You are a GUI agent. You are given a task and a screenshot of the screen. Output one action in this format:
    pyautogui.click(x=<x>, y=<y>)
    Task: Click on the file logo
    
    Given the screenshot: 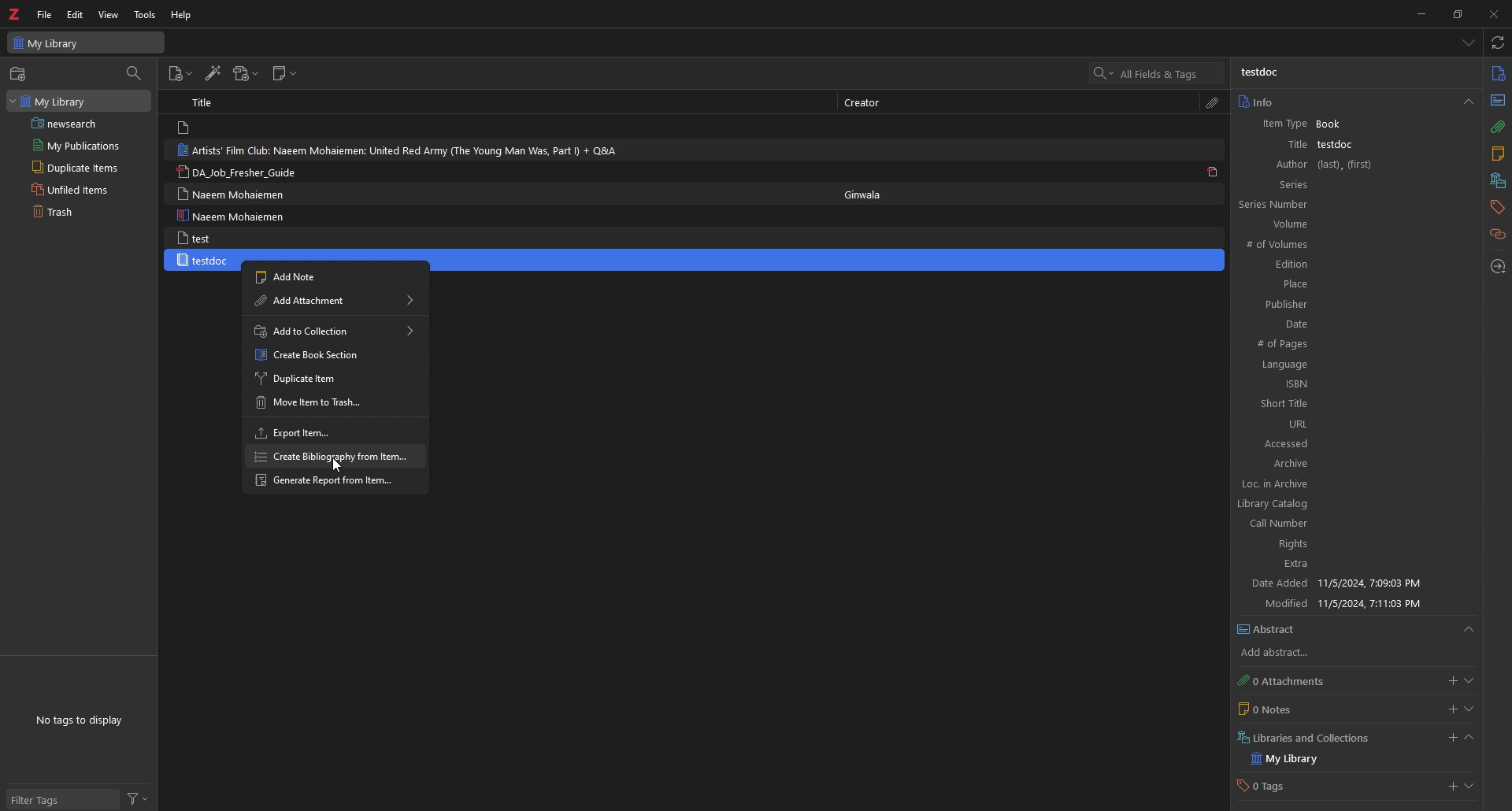 What is the action you would take?
    pyautogui.click(x=186, y=128)
    